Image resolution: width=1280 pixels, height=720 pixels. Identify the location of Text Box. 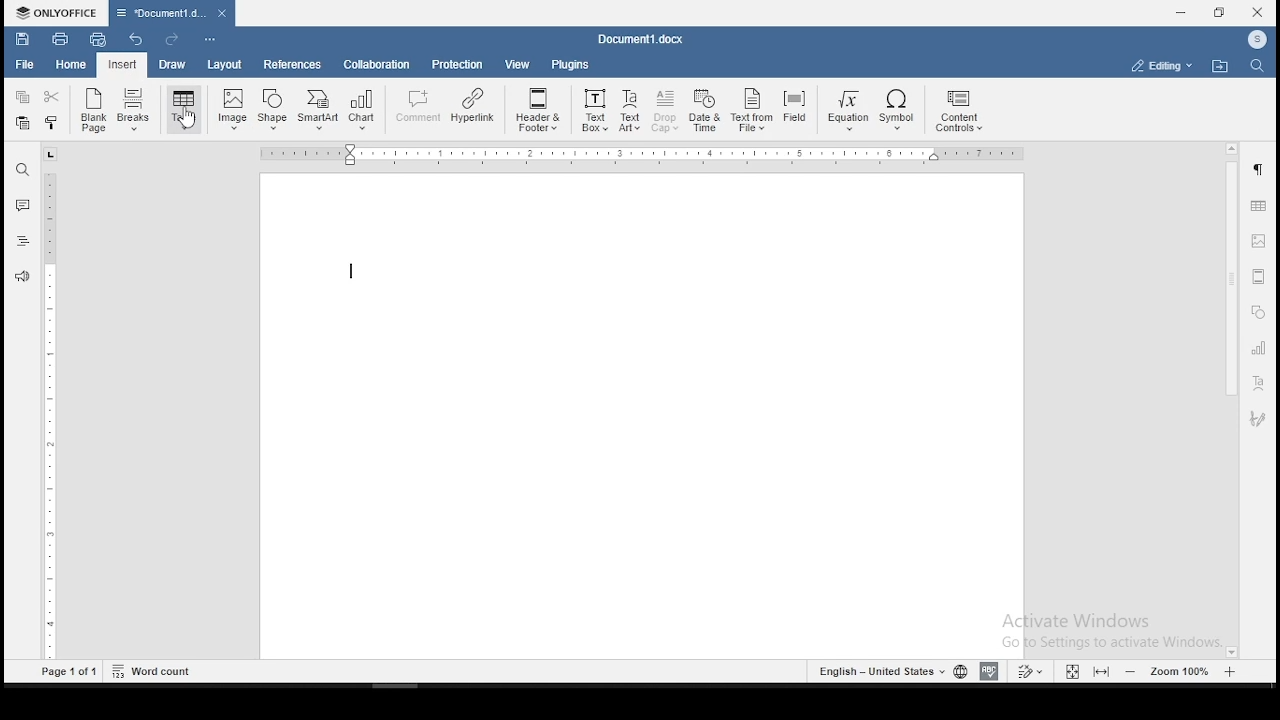
(593, 111).